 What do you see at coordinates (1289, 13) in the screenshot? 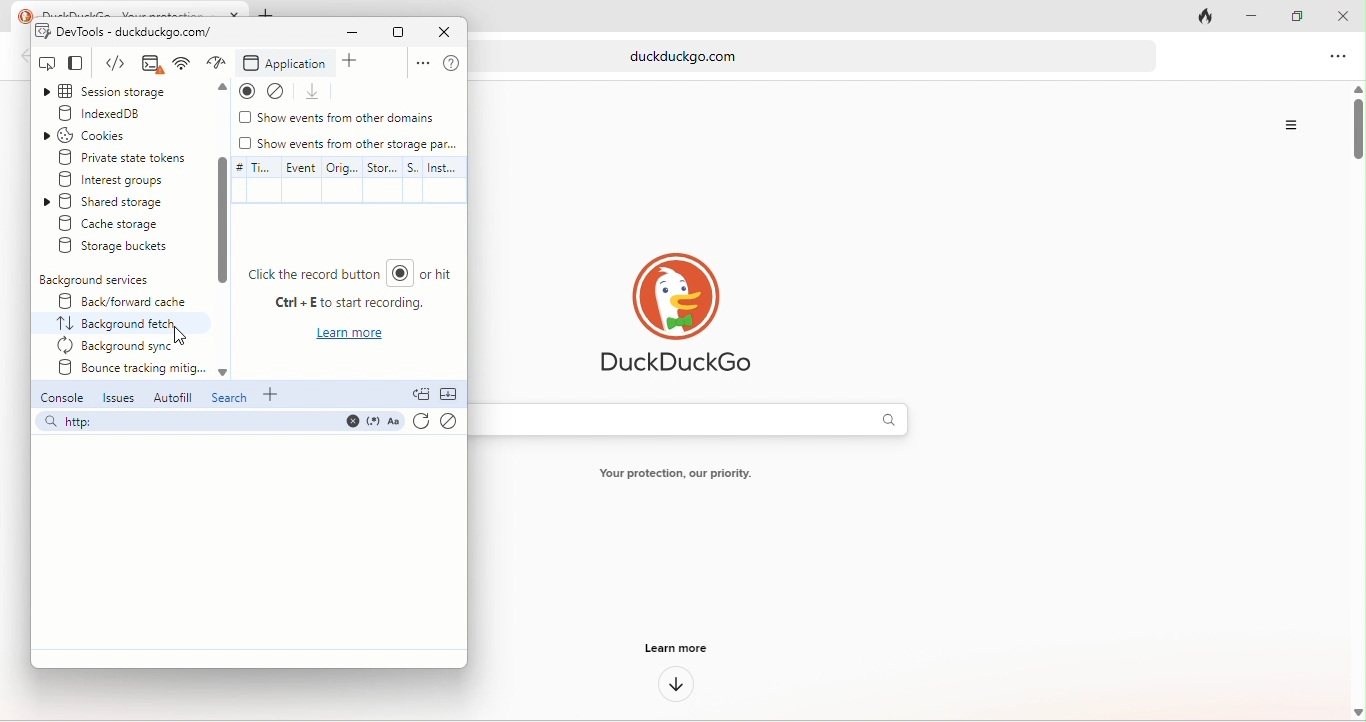
I see `maximize` at bounding box center [1289, 13].